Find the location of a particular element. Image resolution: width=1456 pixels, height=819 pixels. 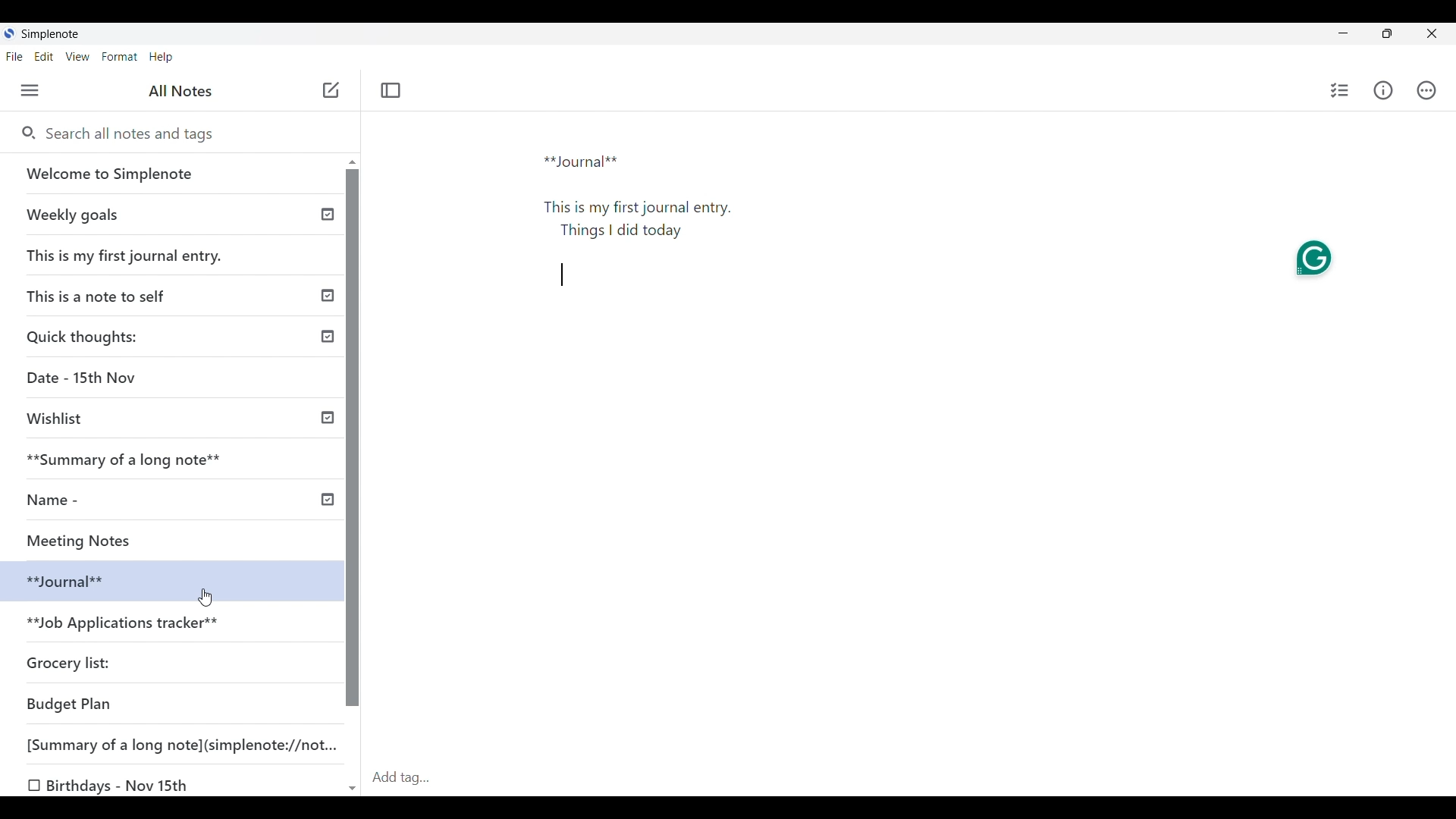

[Summary of a long note](simplenote://not... is located at coordinates (189, 744).